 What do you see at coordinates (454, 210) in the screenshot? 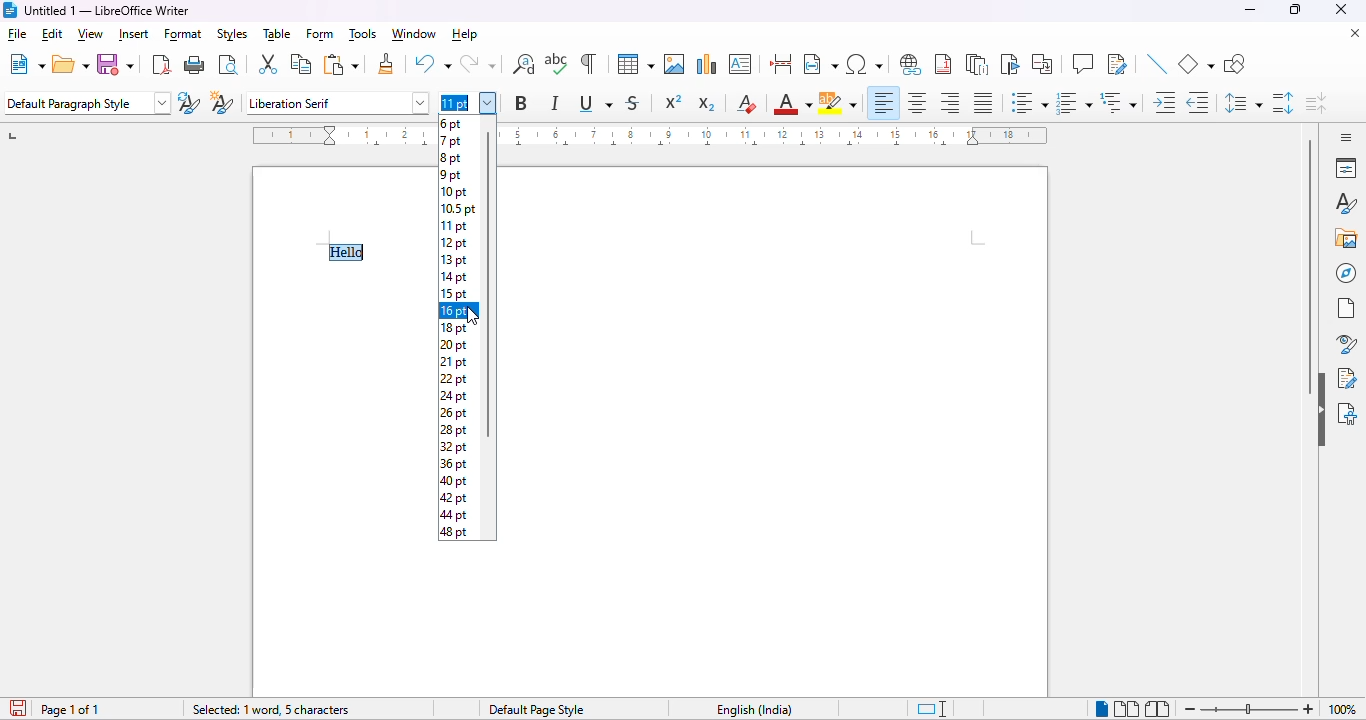
I see `10.5 pt` at bounding box center [454, 210].